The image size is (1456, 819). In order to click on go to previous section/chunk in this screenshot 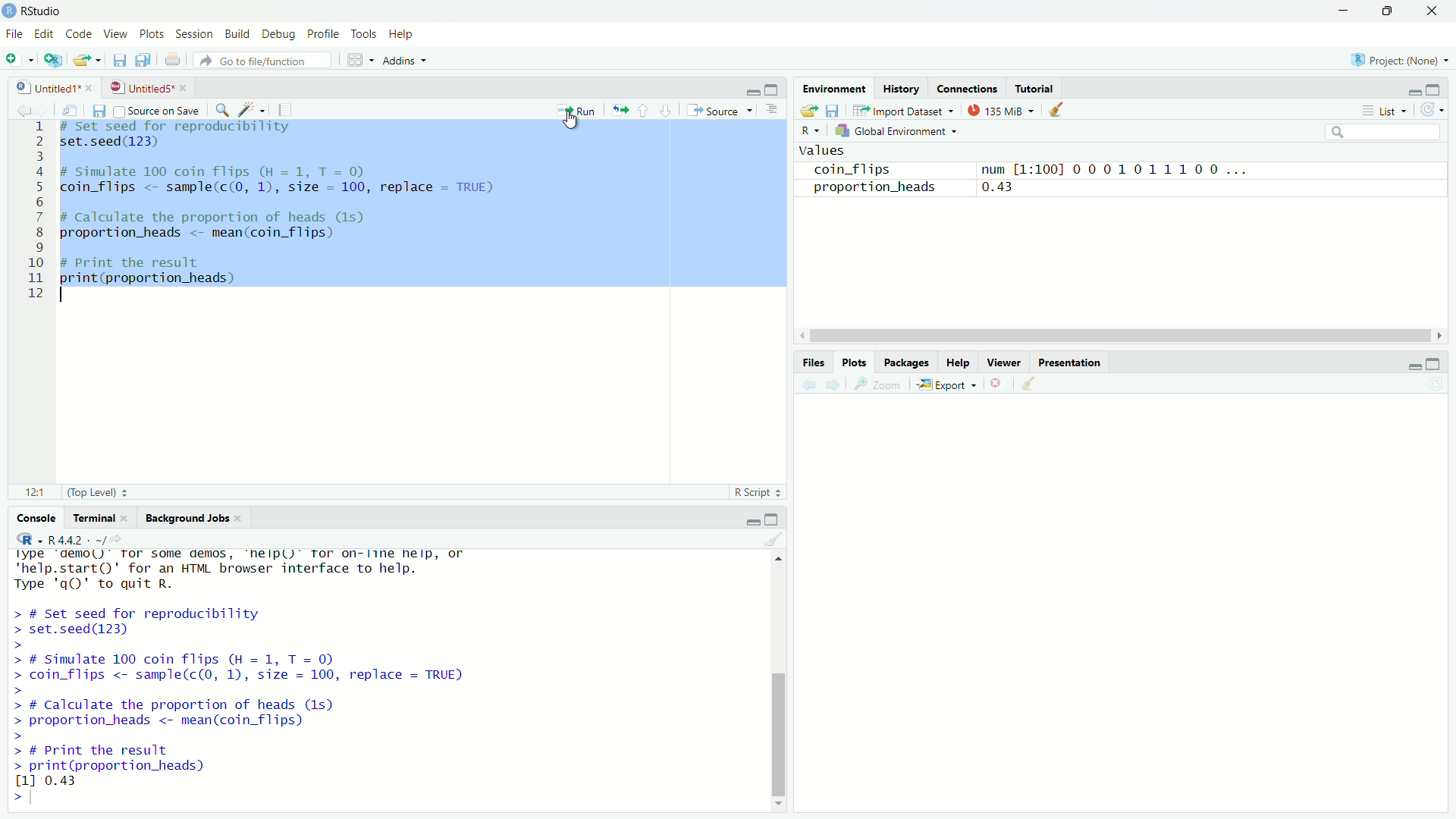, I will do `click(644, 111)`.